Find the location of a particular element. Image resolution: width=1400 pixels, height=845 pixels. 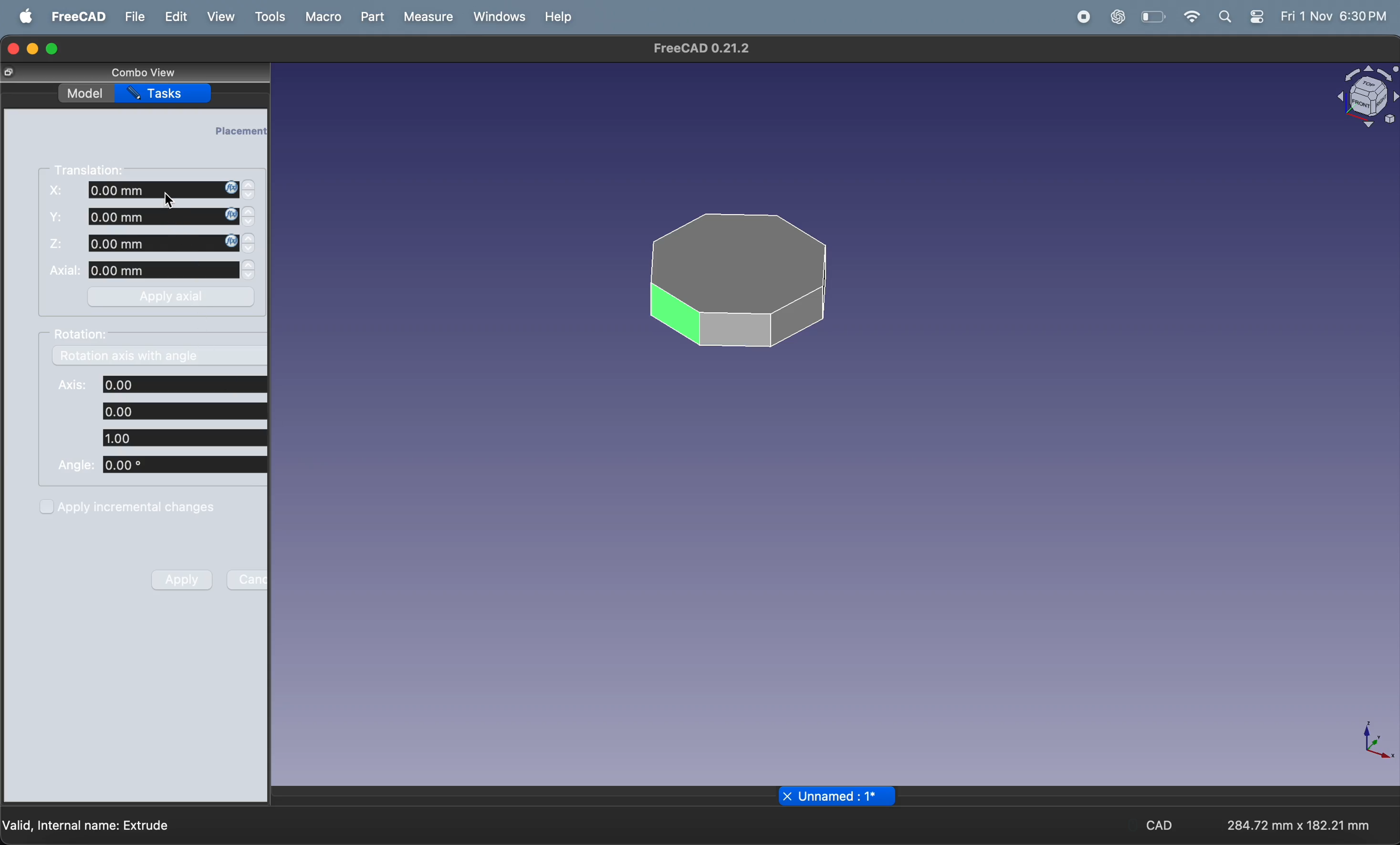

Z: 0.00 mm is located at coordinates (144, 244).